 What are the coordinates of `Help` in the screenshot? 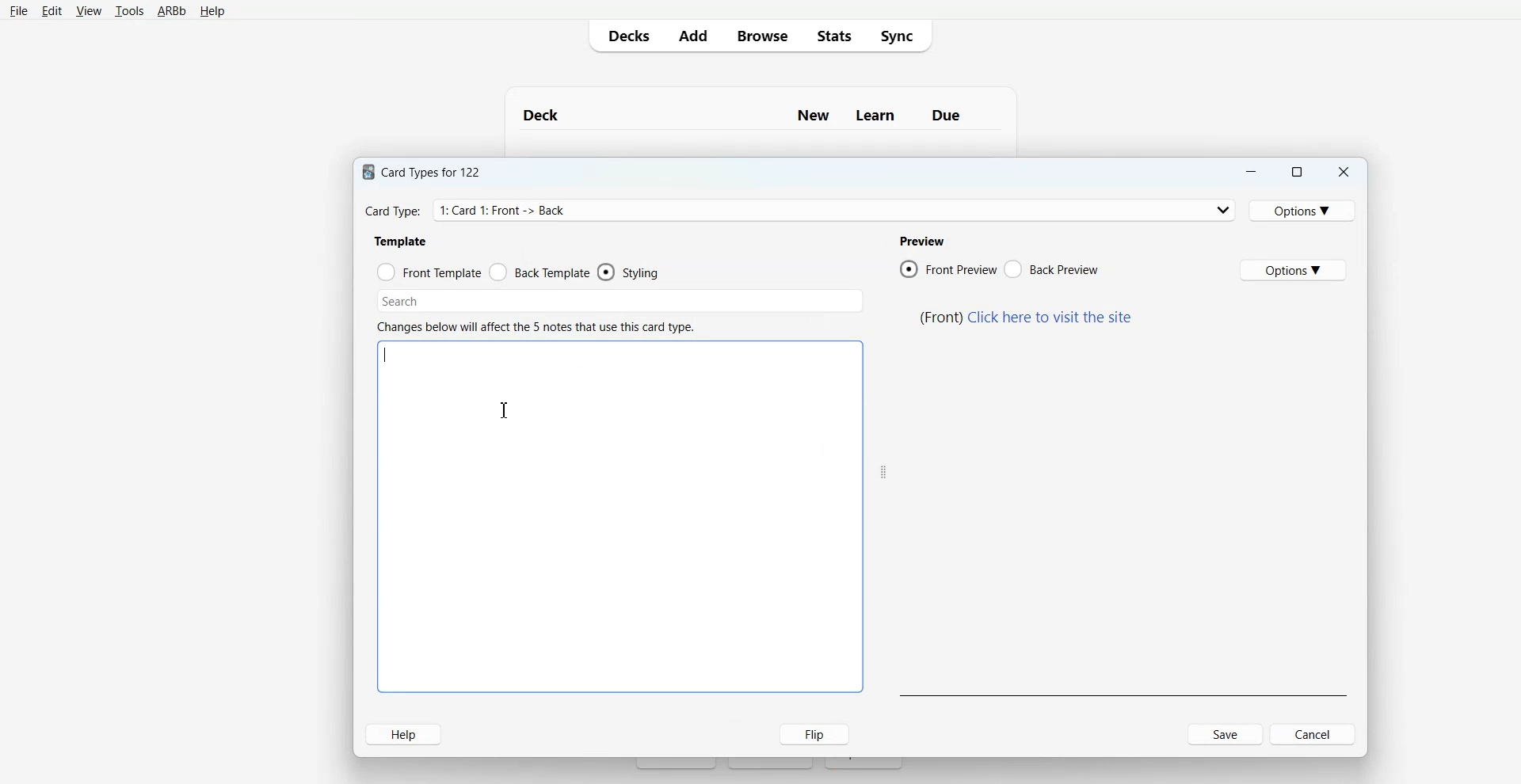 It's located at (405, 733).